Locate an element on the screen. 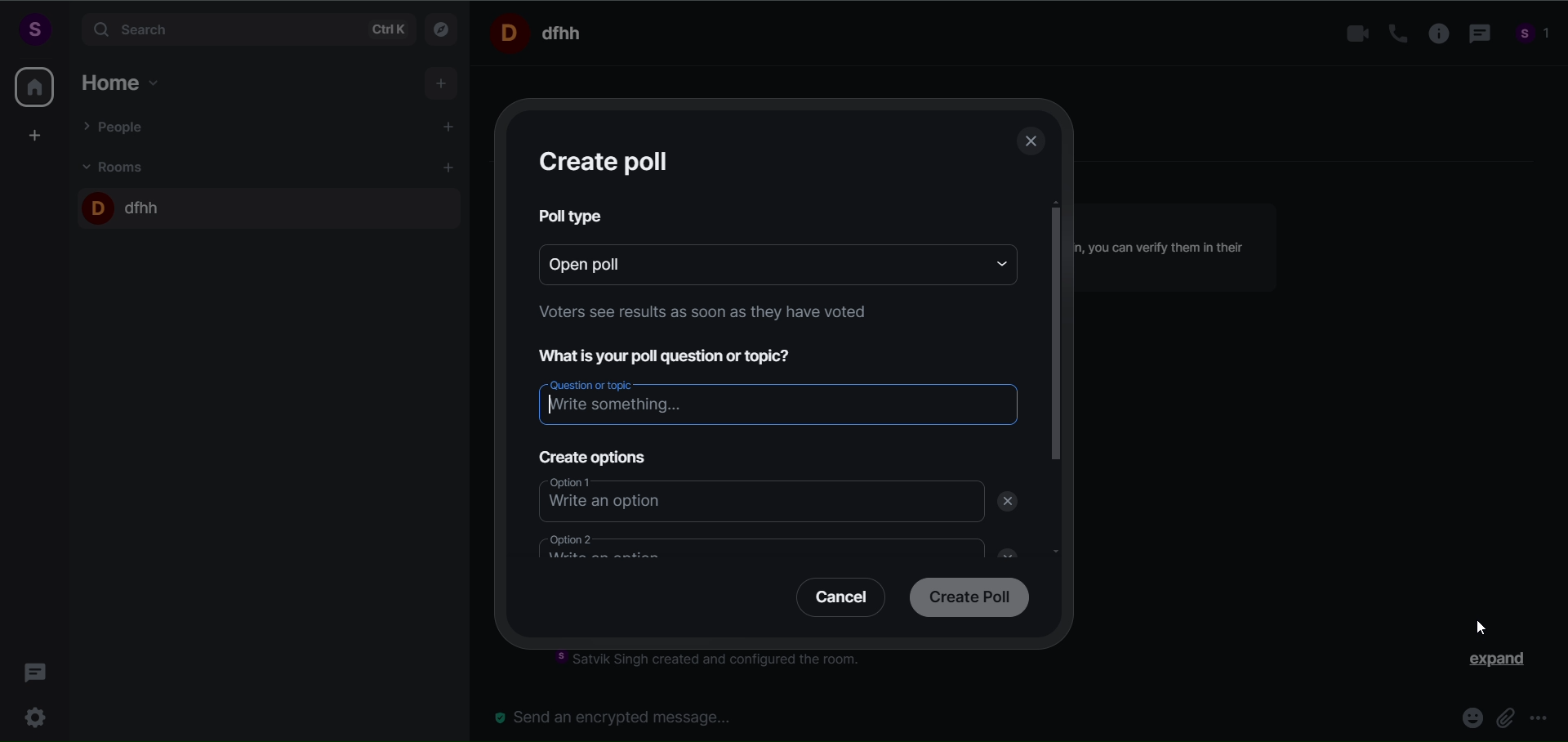 The height and width of the screenshot is (742, 1568). explore room is located at coordinates (443, 28).